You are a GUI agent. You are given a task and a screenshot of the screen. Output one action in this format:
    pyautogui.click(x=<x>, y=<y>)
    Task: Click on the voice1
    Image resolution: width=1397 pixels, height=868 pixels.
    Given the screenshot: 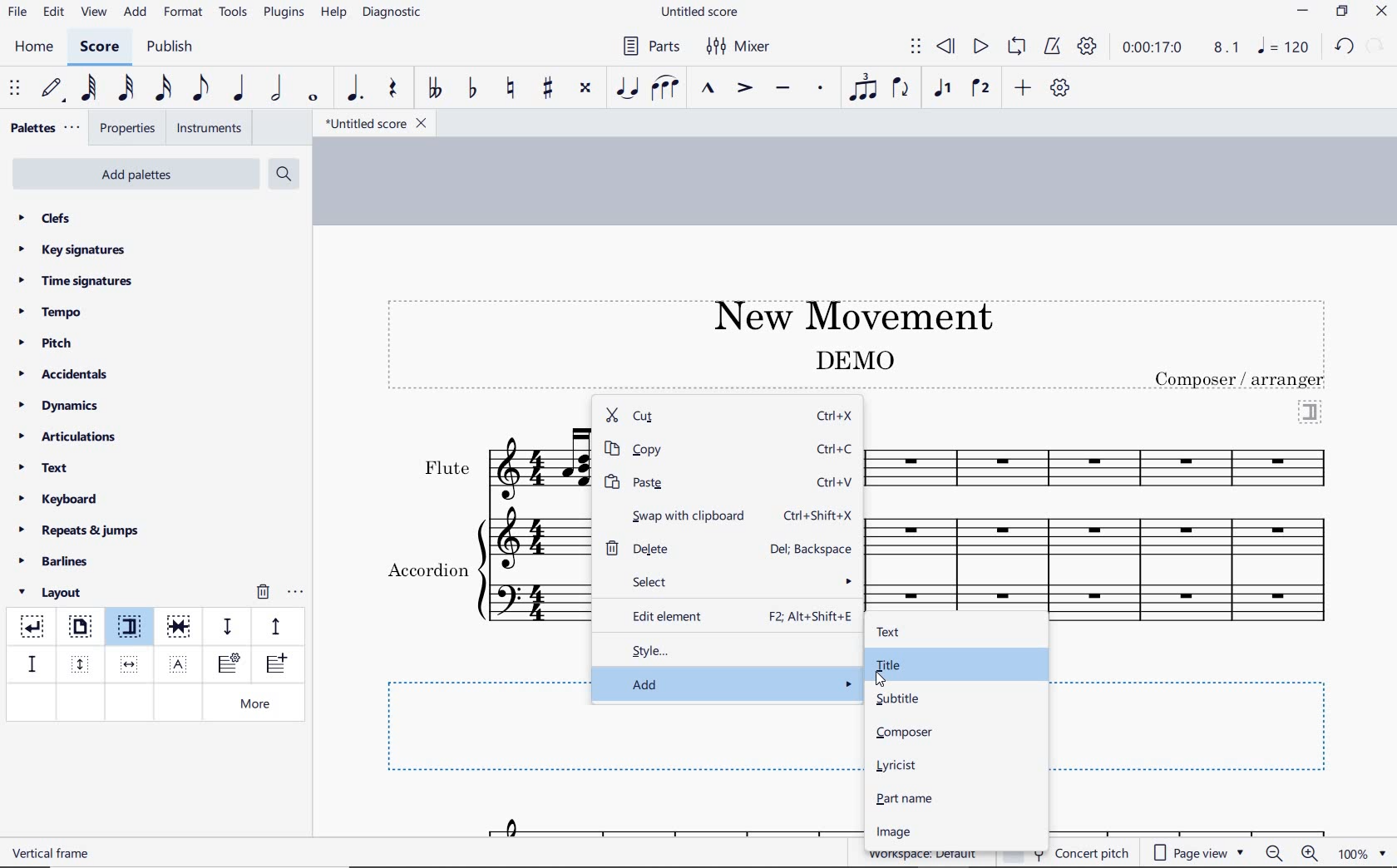 What is the action you would take?
    pyautogui.click(x=945, y=89)
    